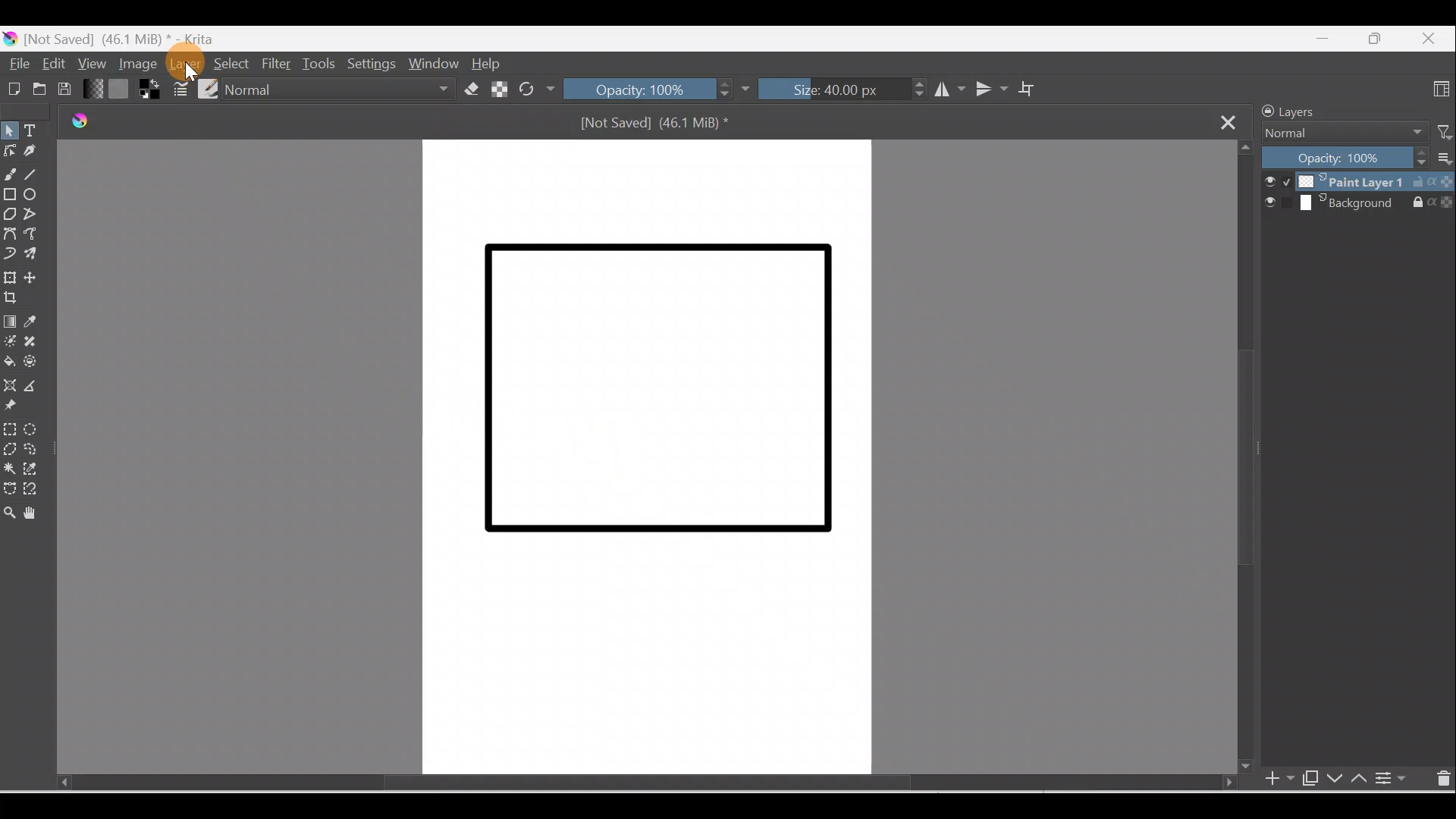 The width and height of the screenshot is (1456, 819). I want to click on Freehand selection tool, so click(38, 449).